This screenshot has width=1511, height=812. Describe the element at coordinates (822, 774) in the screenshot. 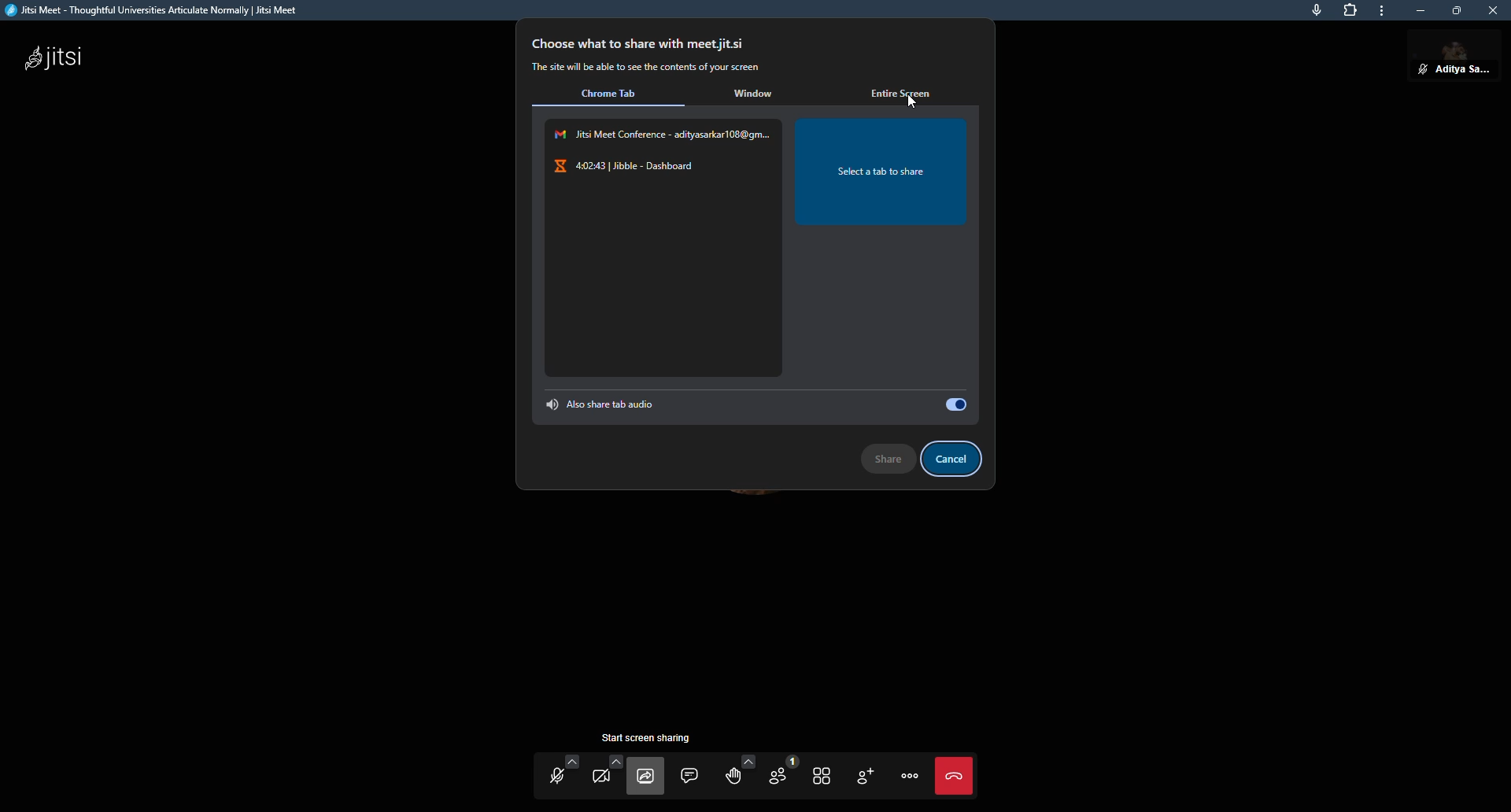

I see `toggle tile view` at that location.